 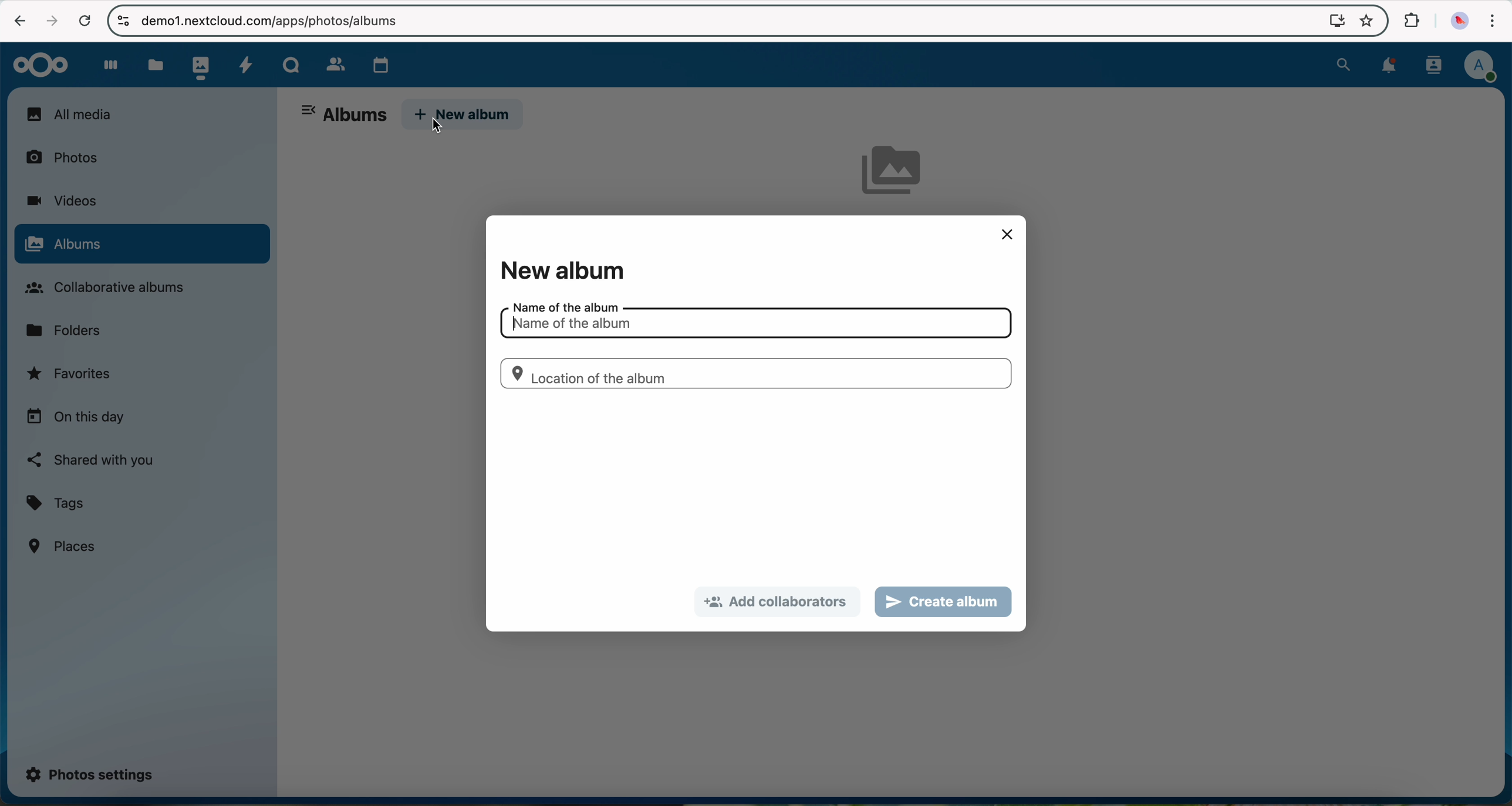 I want to click on controls, so click(x=123, y=20).